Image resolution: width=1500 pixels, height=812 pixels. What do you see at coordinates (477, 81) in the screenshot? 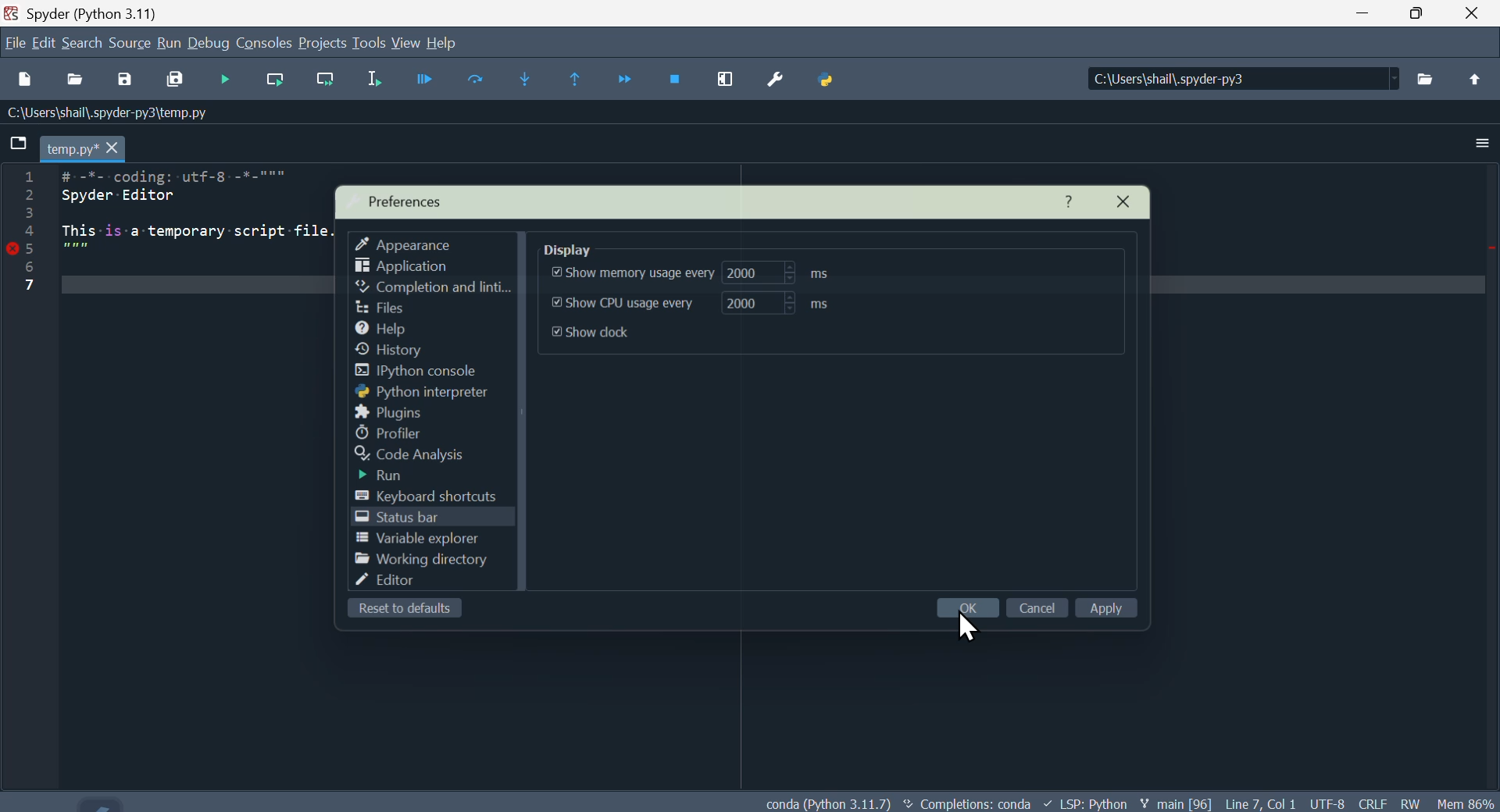
I see `Run cell` at bounding box center [477, 81].